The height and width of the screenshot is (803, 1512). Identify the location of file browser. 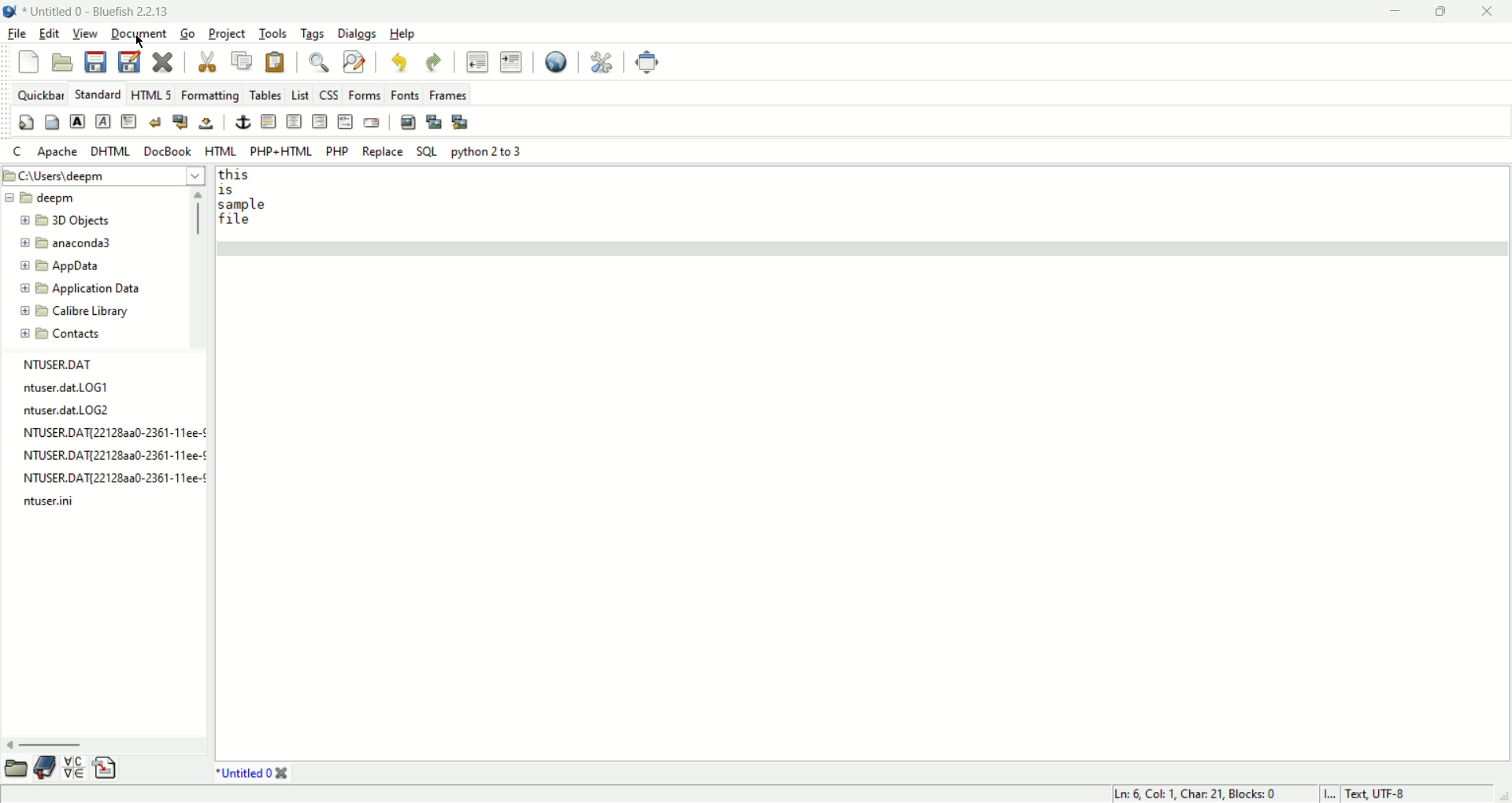
(13, 772).